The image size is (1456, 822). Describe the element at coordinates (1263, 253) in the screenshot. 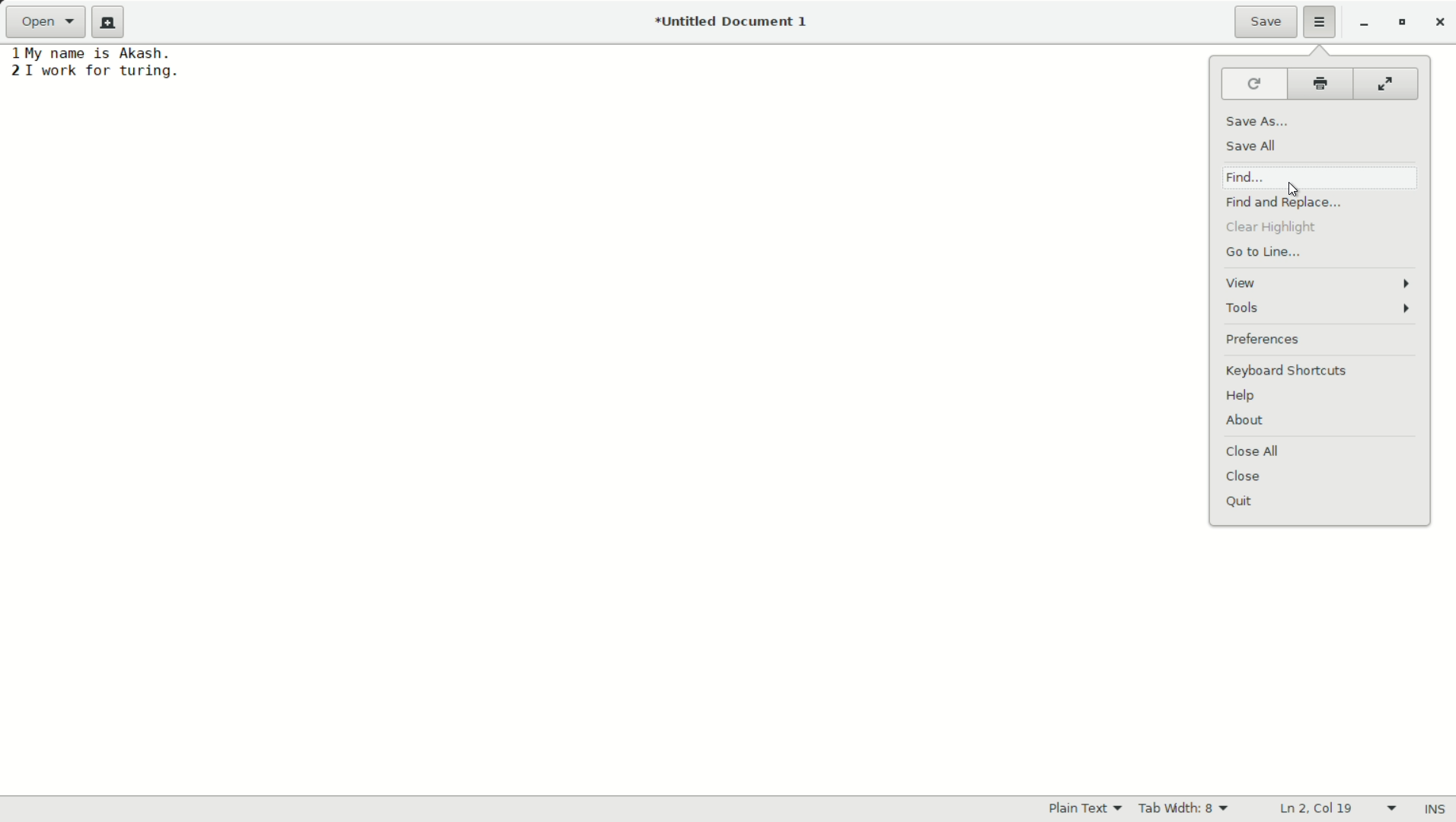

I see `go to line` at that location.